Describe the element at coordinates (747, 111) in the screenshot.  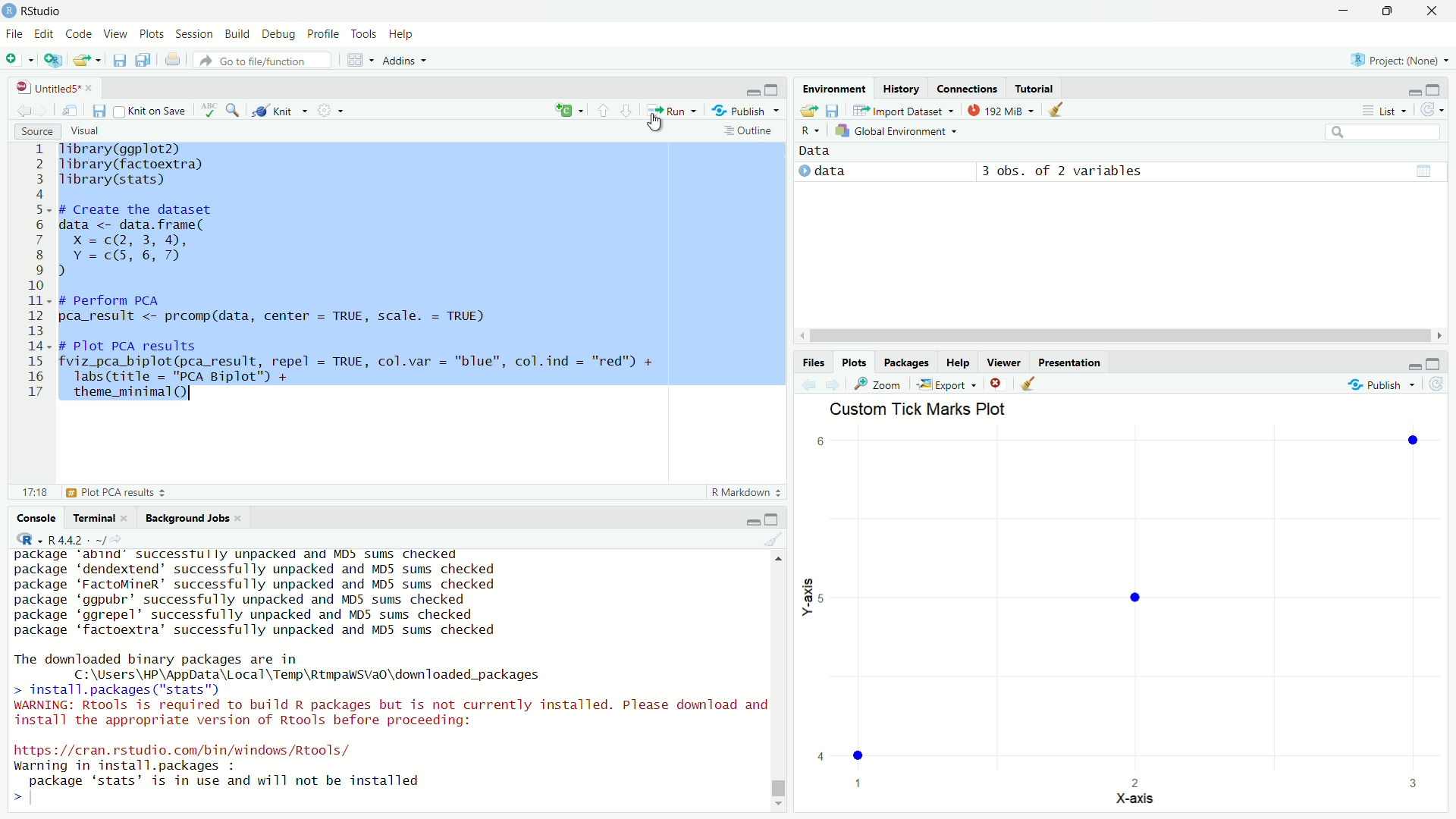
I see `publish` at that location.